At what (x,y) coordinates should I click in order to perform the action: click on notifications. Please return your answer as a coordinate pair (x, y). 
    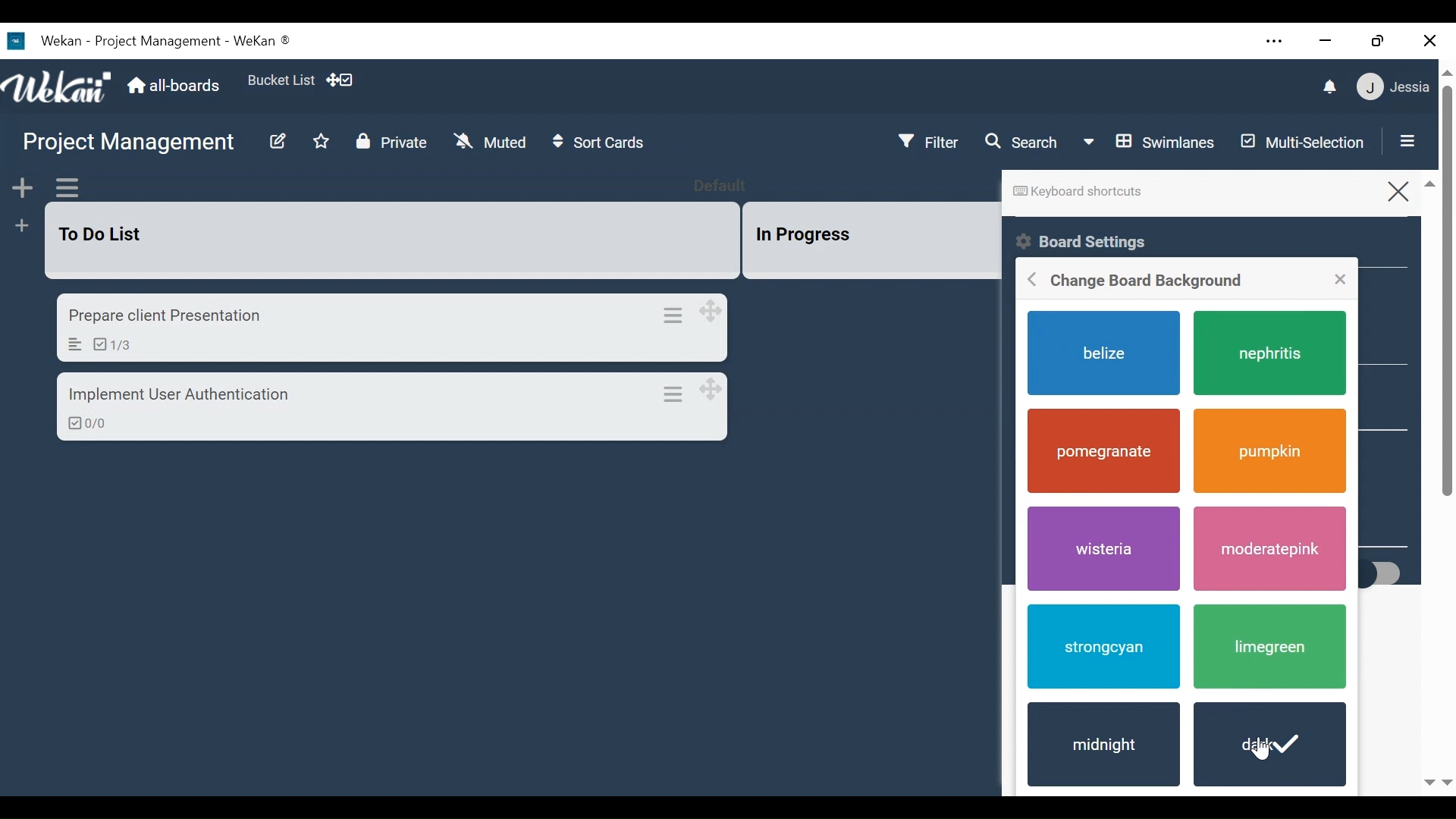
    Looking at the image, I should click on (1319, 86).